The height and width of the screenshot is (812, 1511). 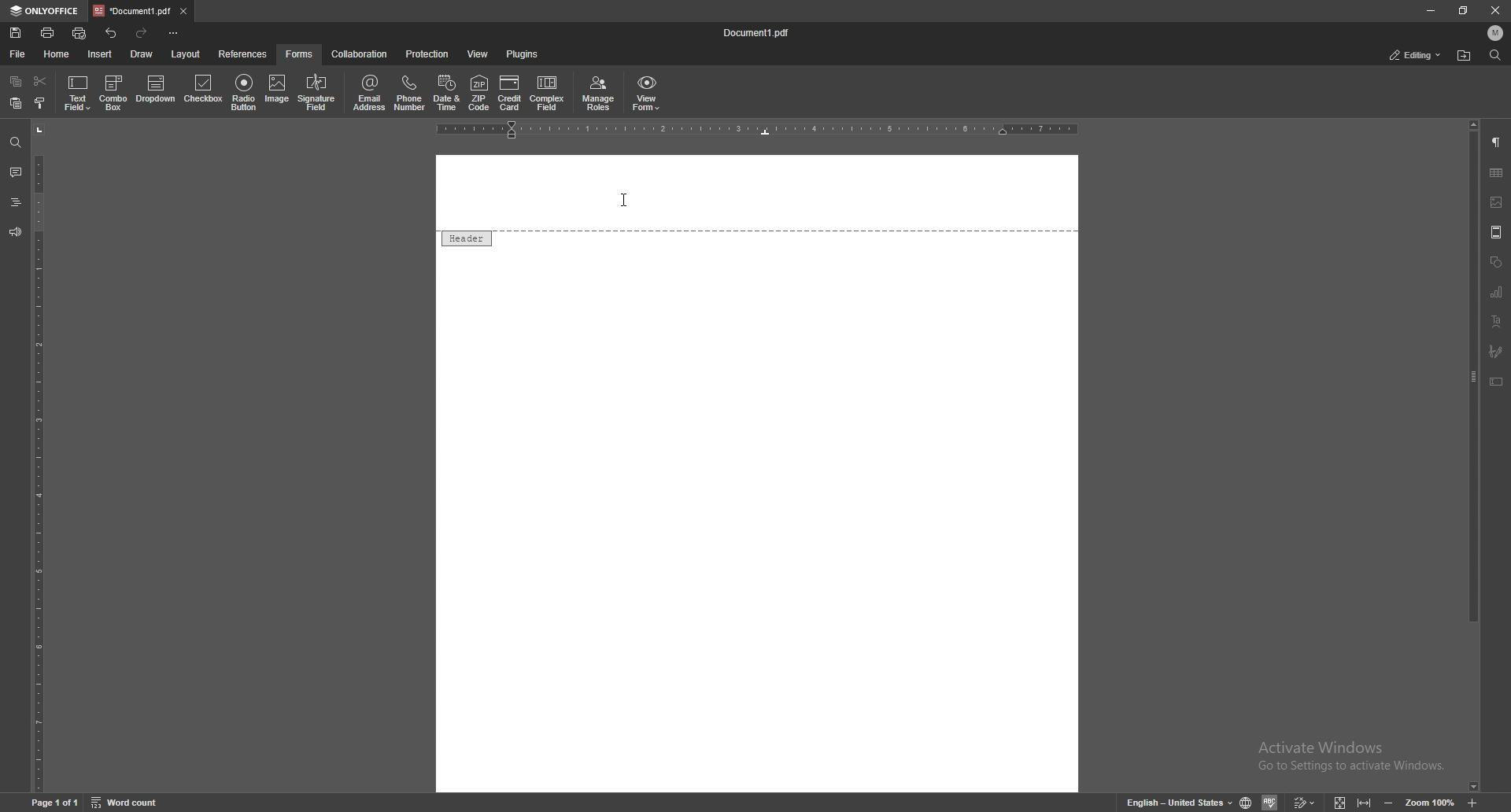 What do you see at coordinates (1176, 802) in the screenshot?
I see `change text language` at bounding box center [1176, 802].